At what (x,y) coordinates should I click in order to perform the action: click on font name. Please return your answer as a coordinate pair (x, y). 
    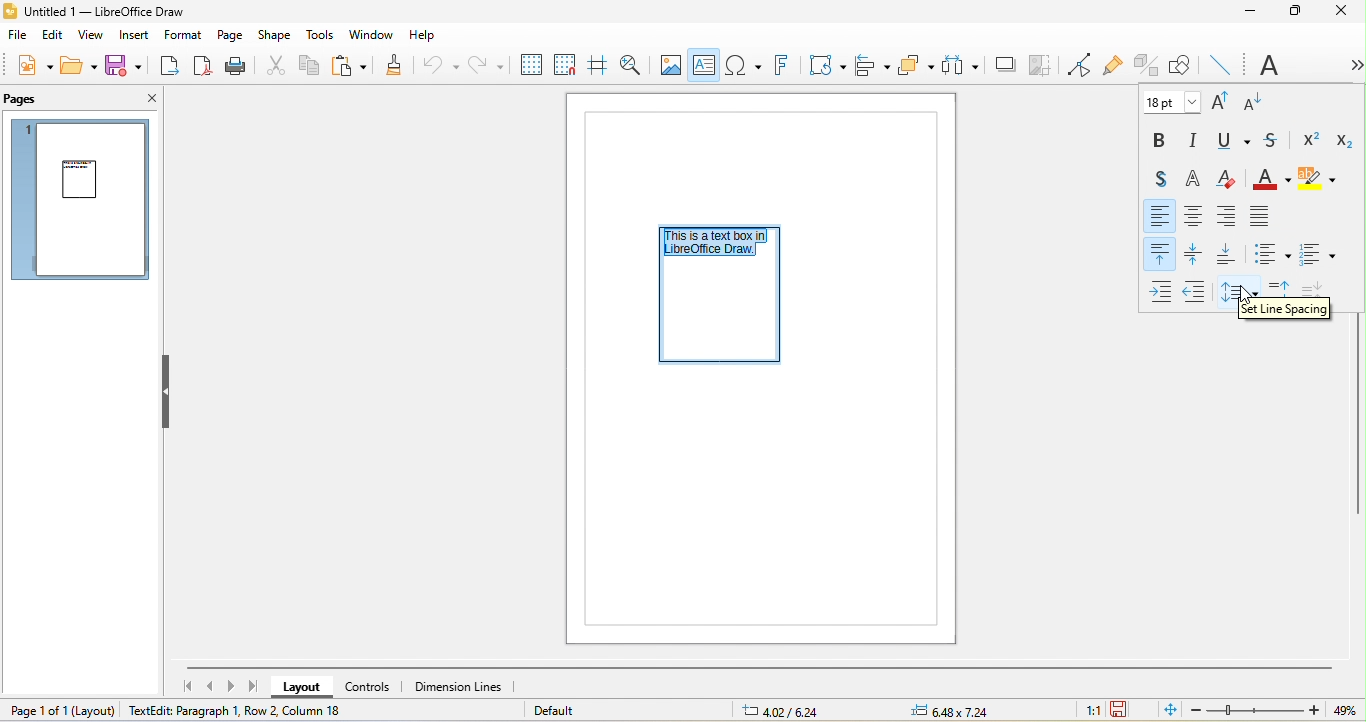
    Looking at the image, I should click on (1262, 63).